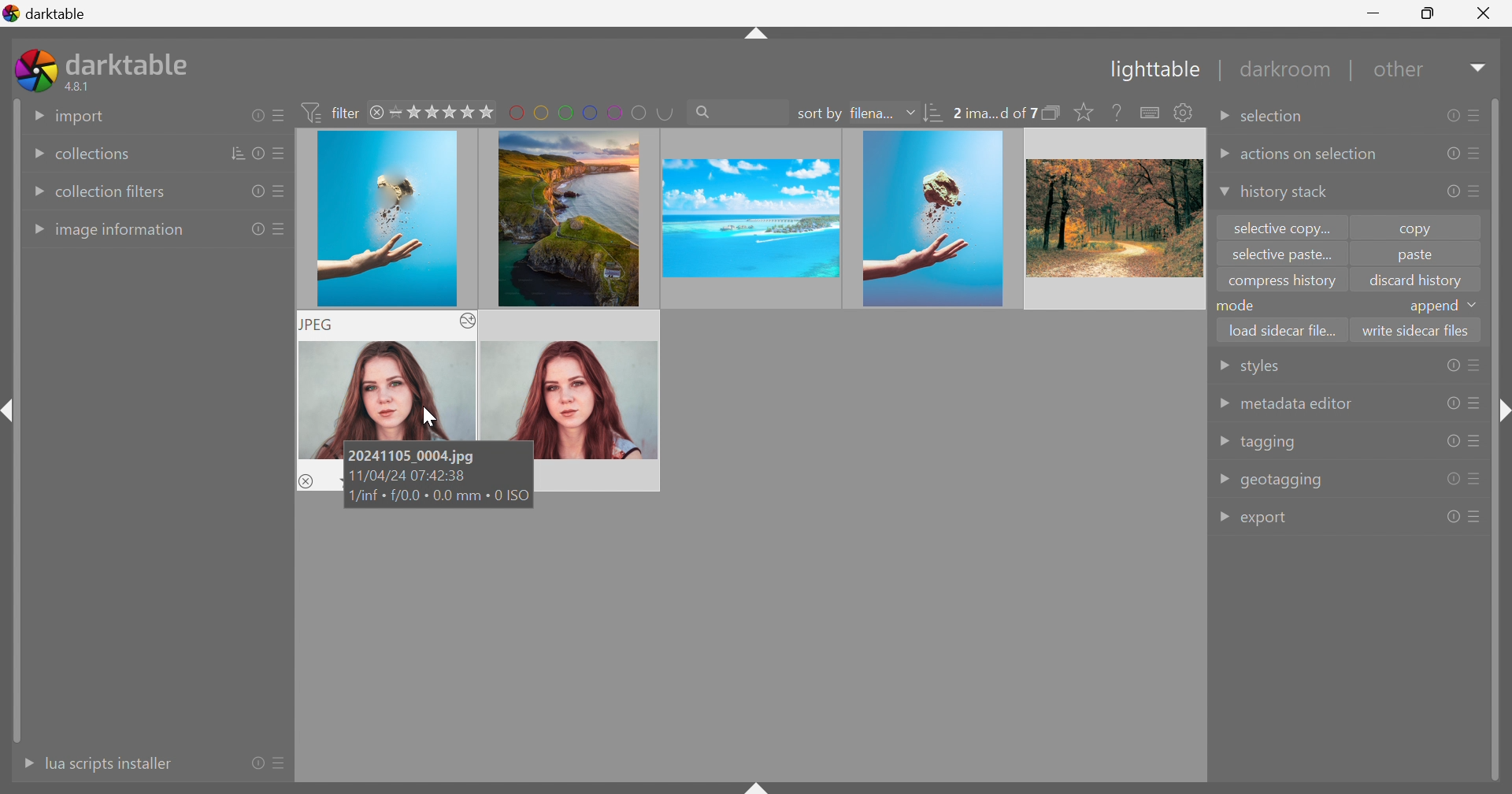 This screenshot has width=1512, height=794. I want to click on presets, so click(1477, 477).